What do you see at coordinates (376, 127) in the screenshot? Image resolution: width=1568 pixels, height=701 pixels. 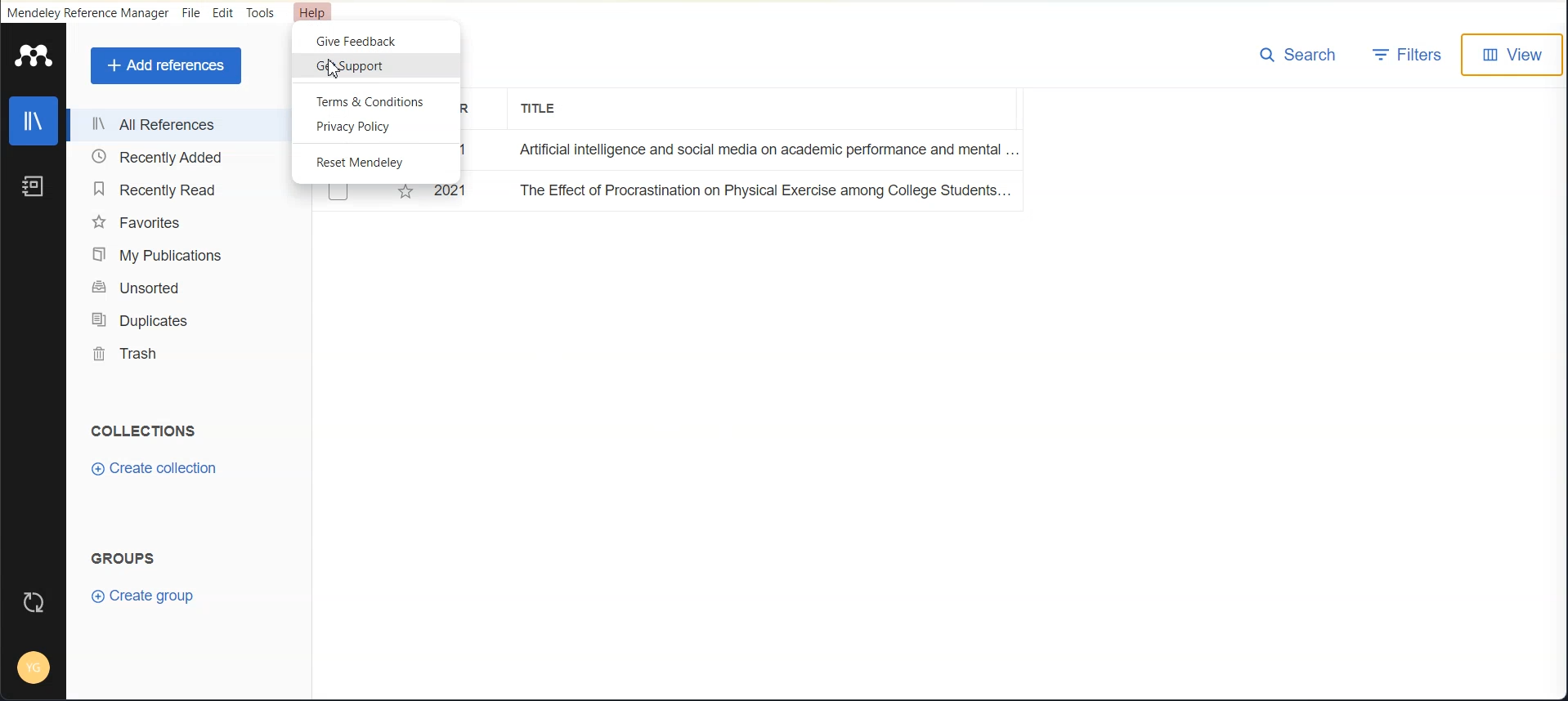 I see `Privacy Policy` at bounding box center [376, 127].